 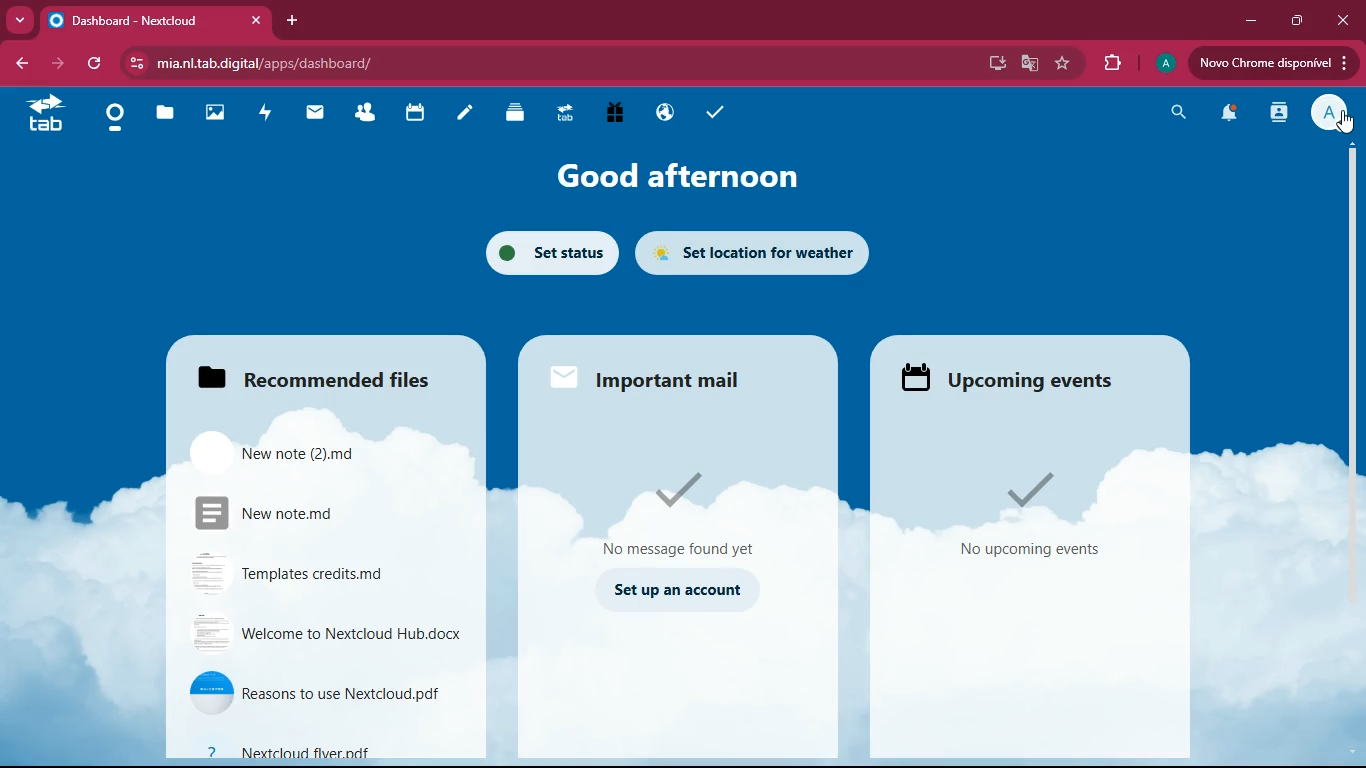 What do you see at coordinates (682, 512) in the screenshot?
I see `message` at bounding box center [682, 512].